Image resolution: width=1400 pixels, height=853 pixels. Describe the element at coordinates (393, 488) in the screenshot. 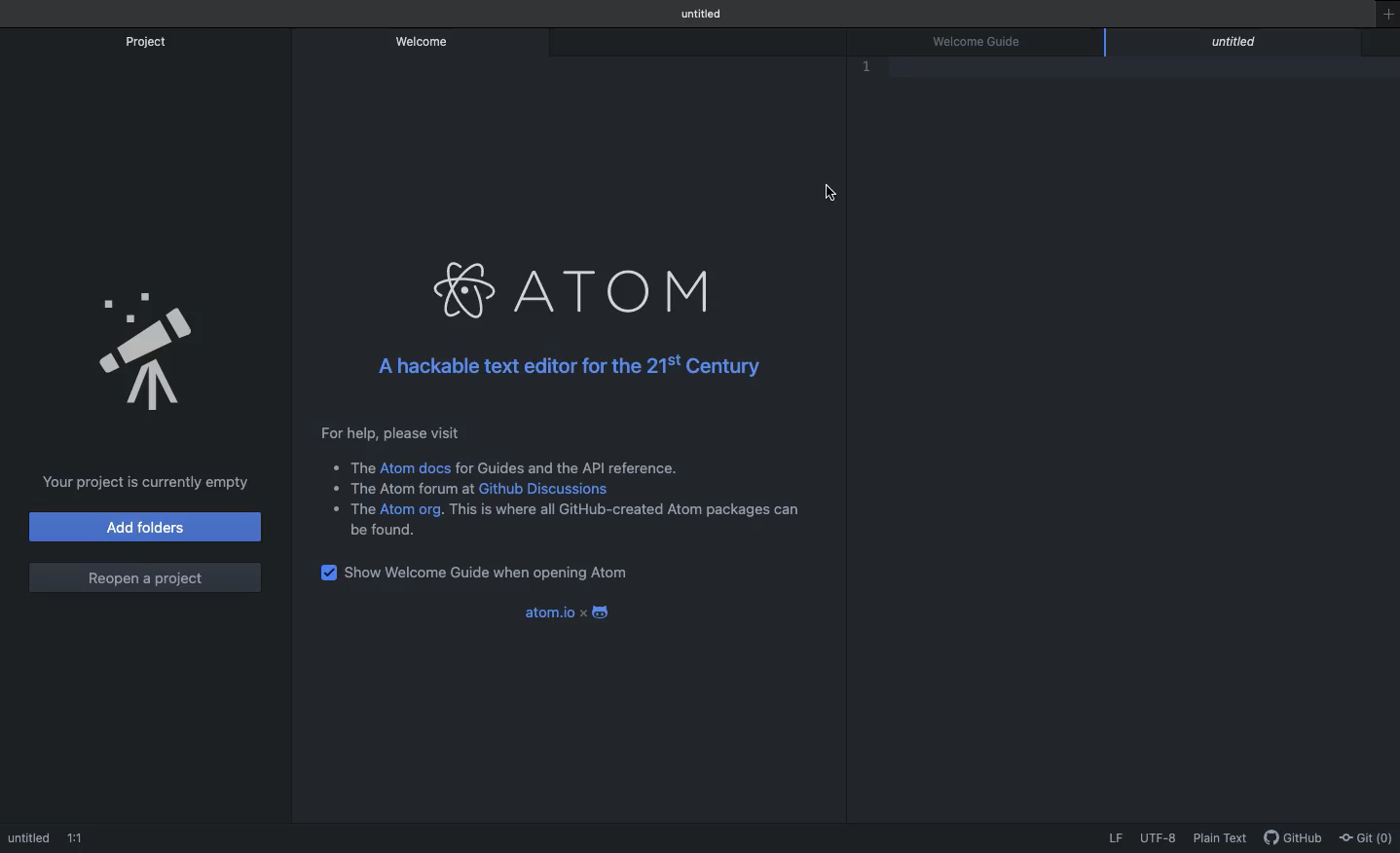

I see `list item` at that location.